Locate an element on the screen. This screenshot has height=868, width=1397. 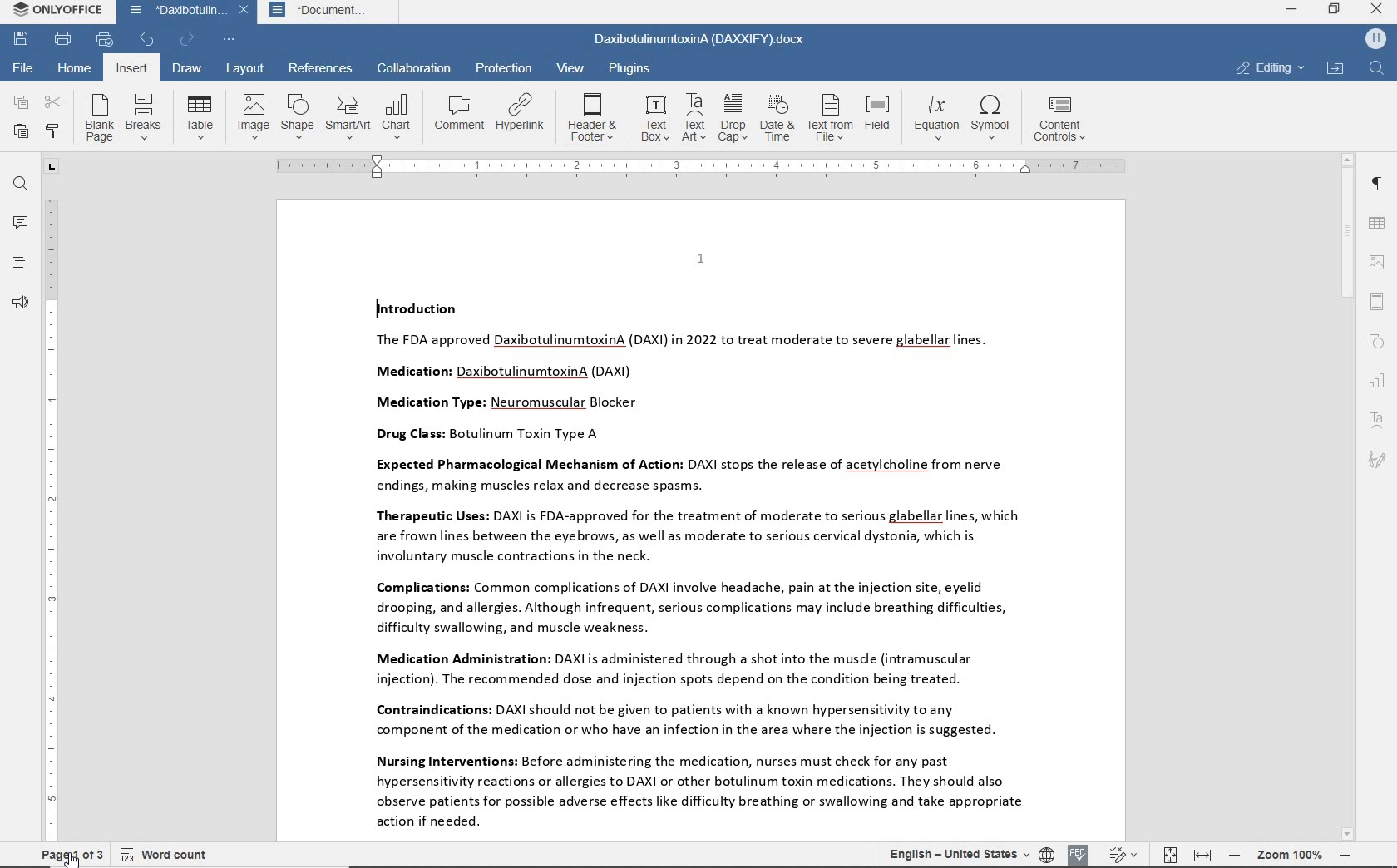
DaxibotulinumtoxinA (DAXXIFY).docx is located at coordinates (700, 41).